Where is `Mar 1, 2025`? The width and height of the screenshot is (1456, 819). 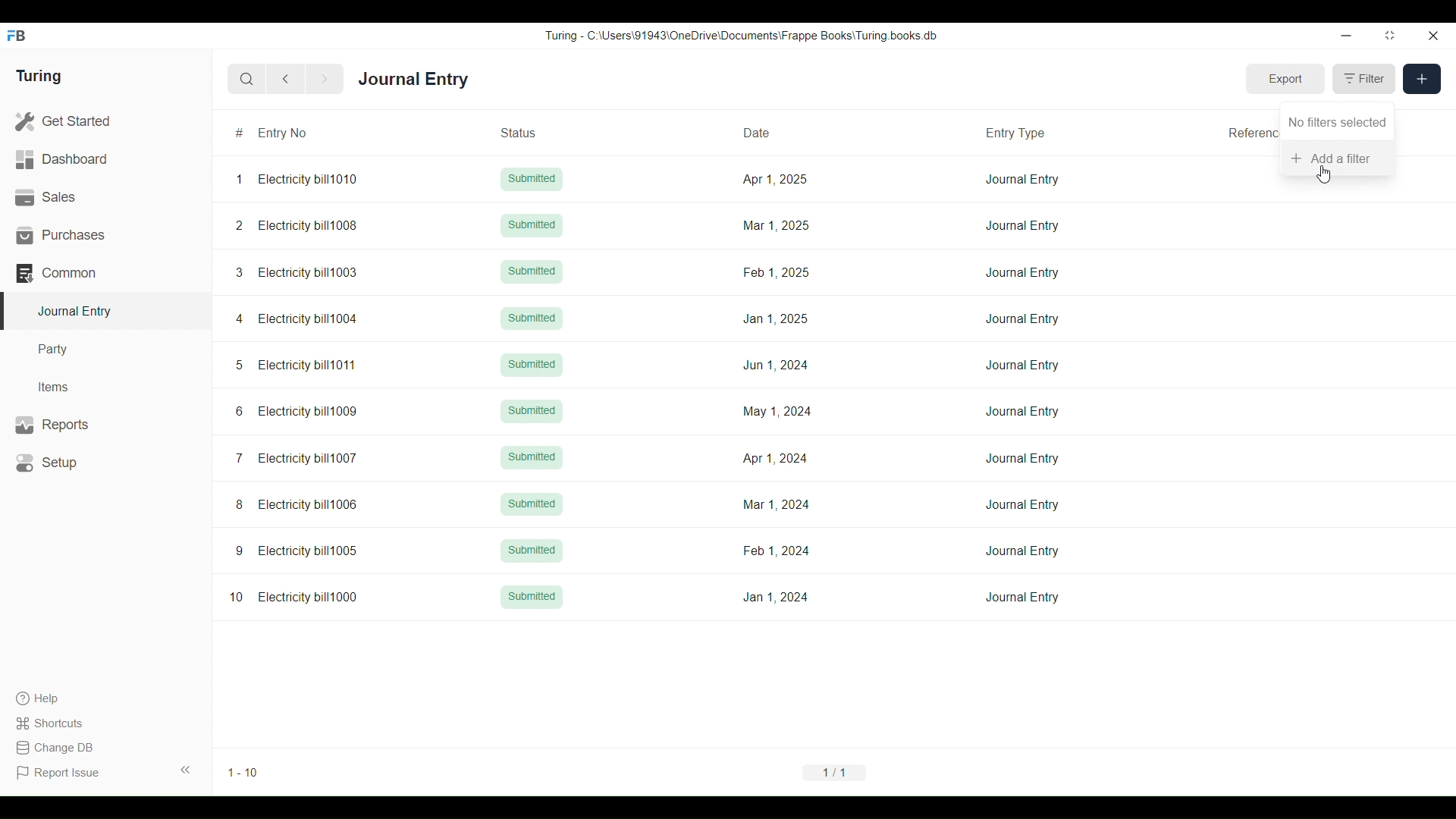
Mar 1, 2025 is located at coordinates (774, 225).